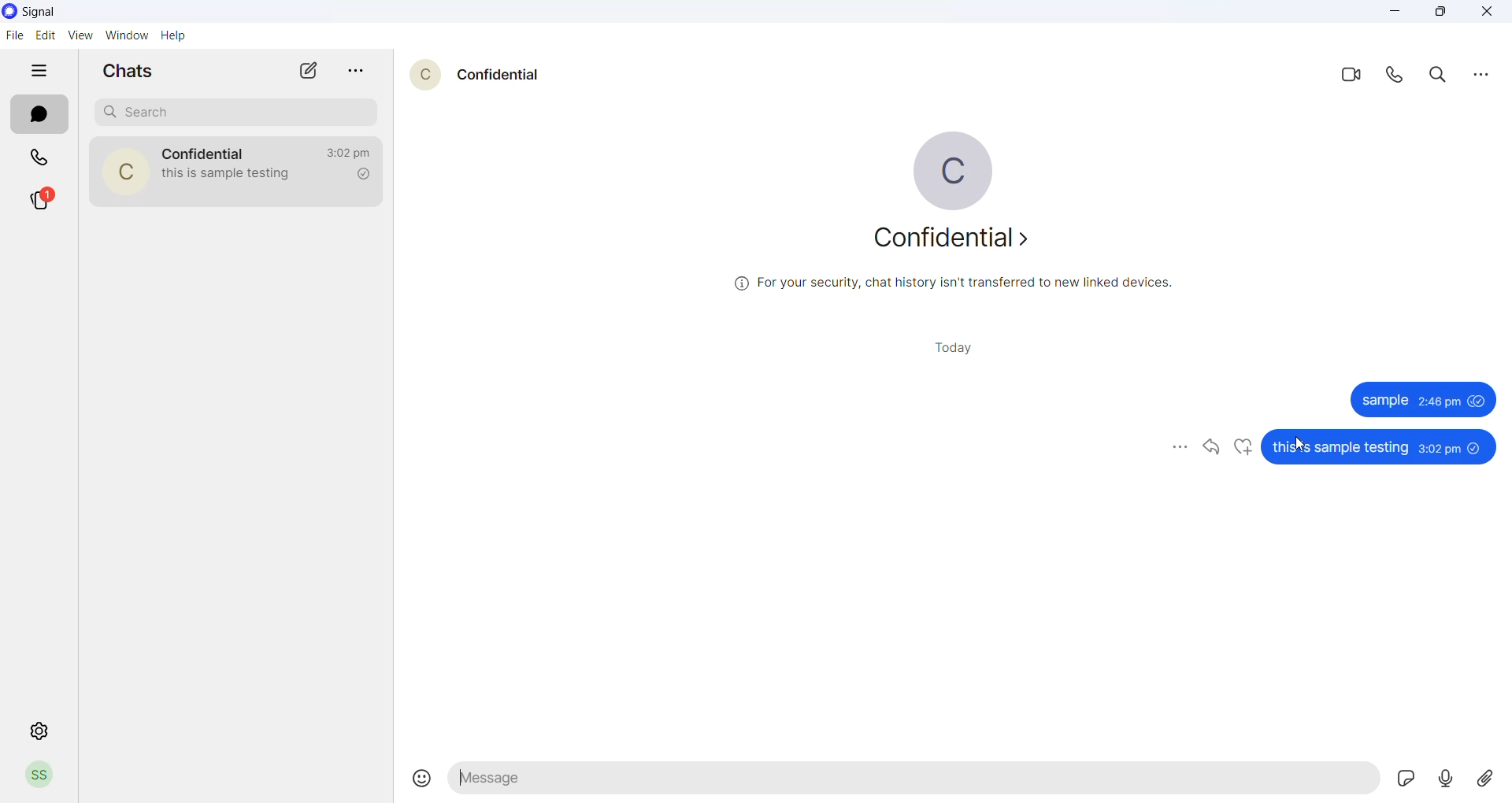  I want to click on sticker, so click(1403, 779).